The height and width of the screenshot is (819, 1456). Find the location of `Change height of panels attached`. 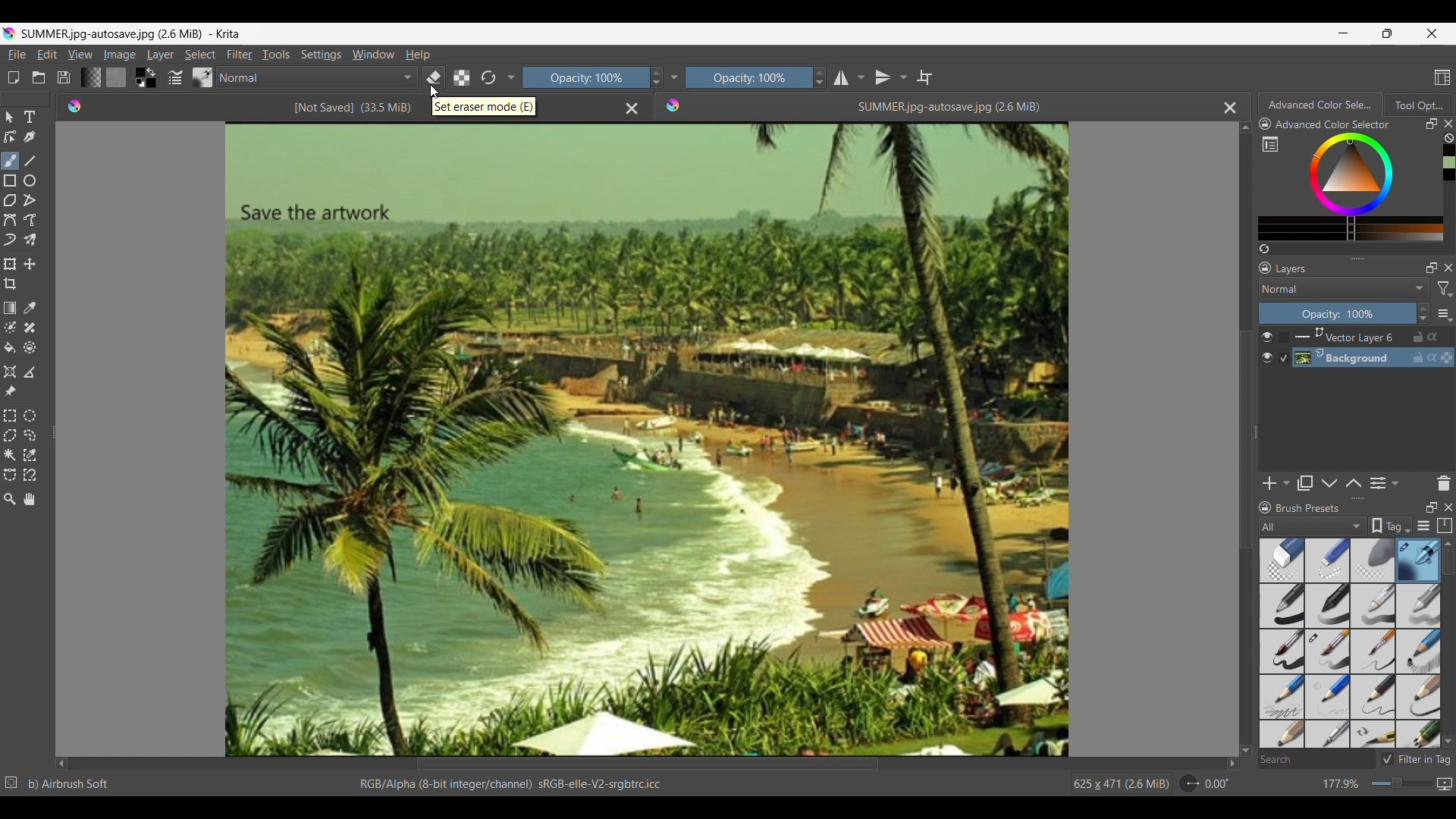

Change height of panels attached is located at coordinates (1351, 498).